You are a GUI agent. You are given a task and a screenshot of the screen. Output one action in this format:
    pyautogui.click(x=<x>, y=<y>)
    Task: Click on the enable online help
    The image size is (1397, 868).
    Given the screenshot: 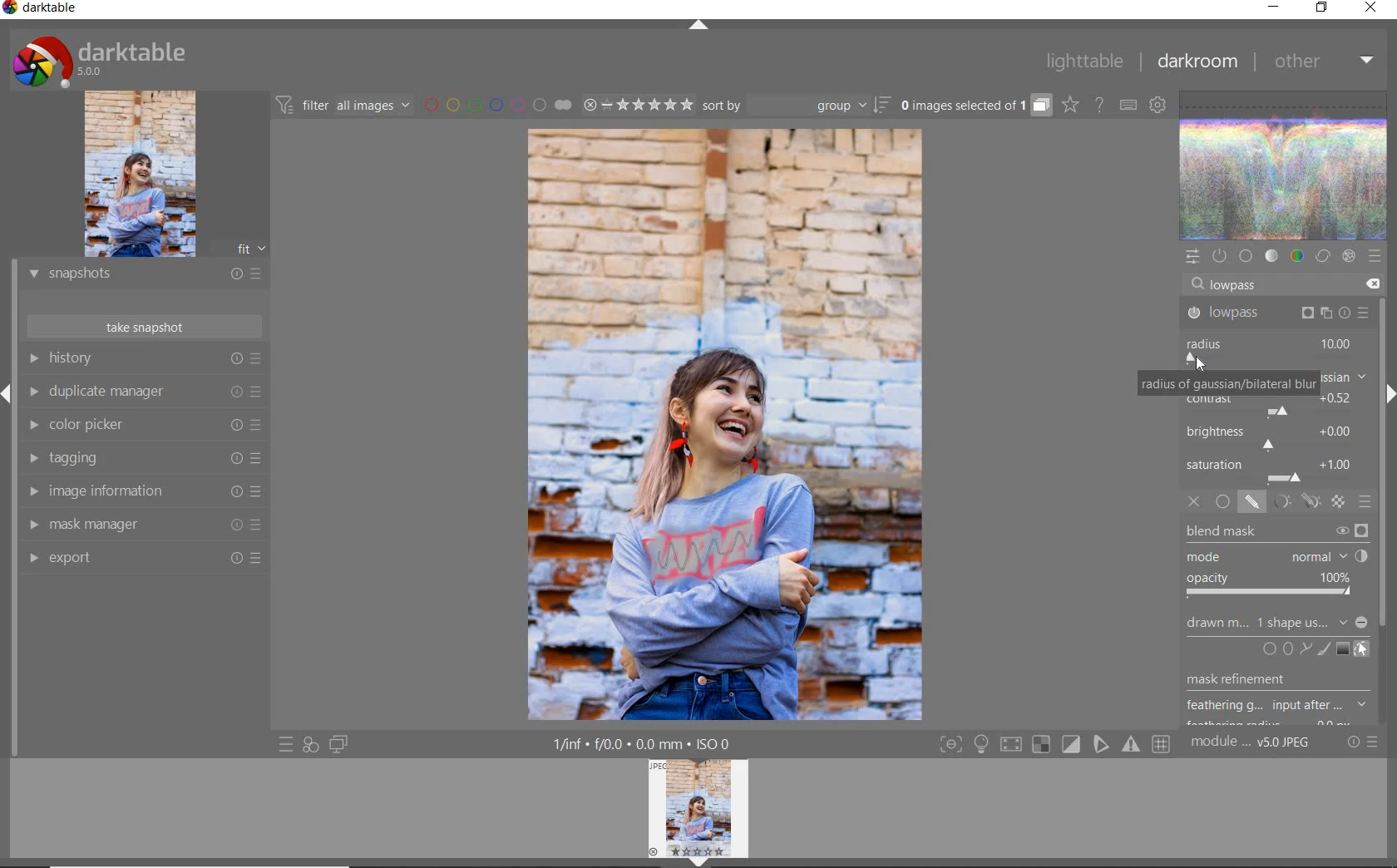 What is the action you would take?
    pyautogui.click(x=1100, y=104)
    